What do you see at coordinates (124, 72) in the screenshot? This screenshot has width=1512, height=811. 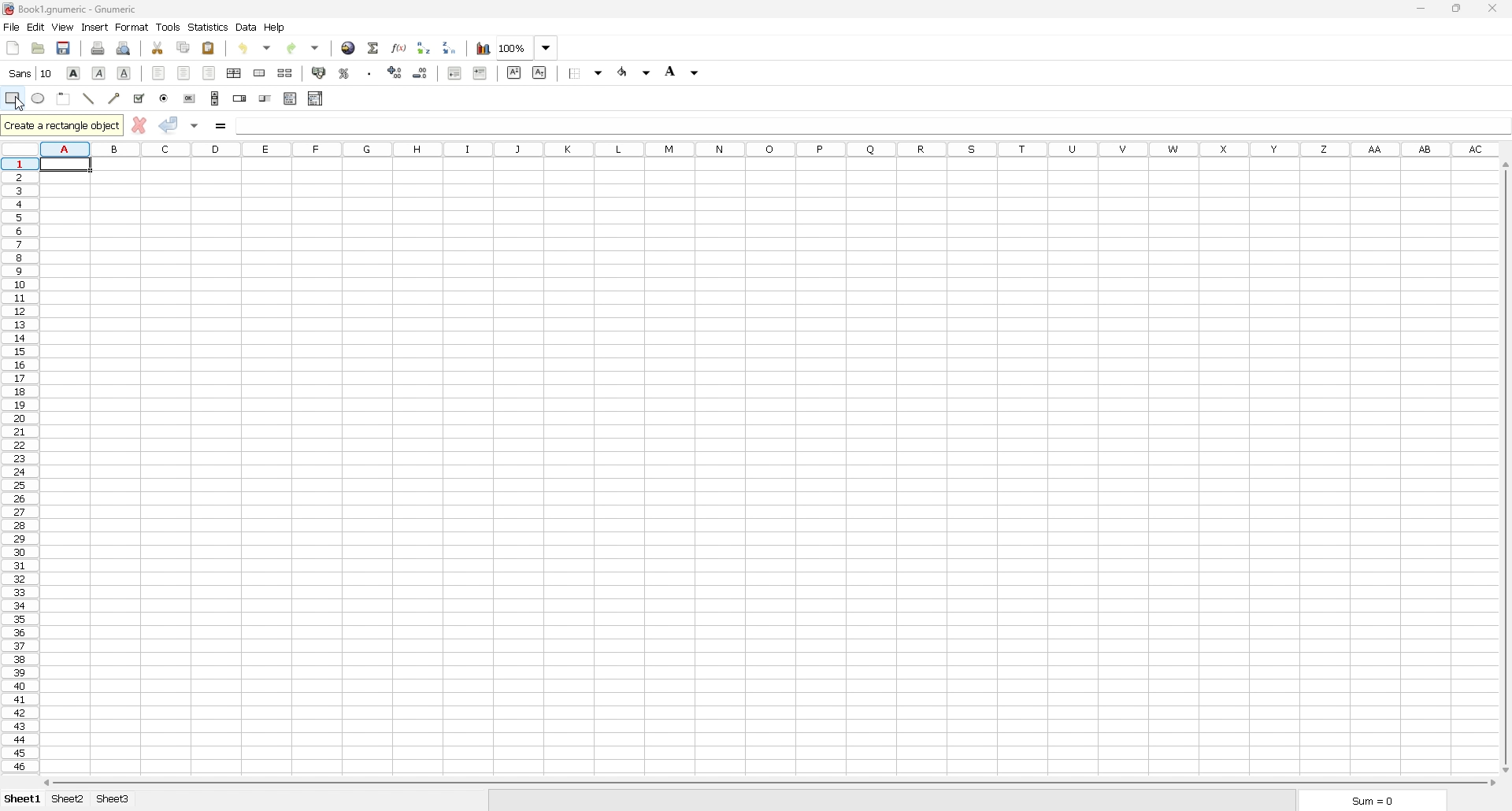 I see `underline` at bounding box center [124, 72].